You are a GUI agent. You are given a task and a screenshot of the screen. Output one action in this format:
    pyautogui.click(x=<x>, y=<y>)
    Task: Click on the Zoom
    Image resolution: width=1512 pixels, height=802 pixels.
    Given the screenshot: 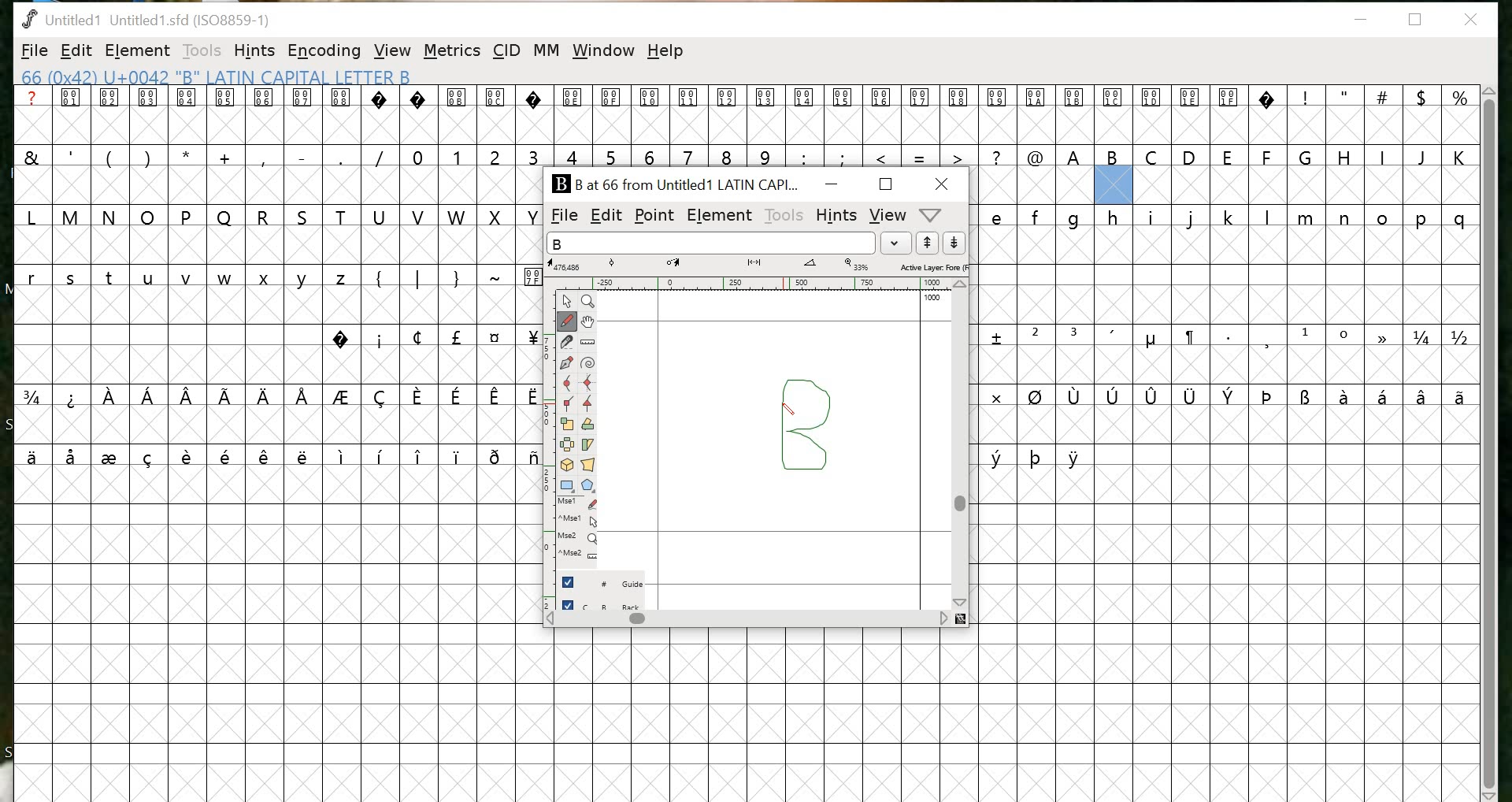 What is the action you would take?
    pyautogui.click(x=589, y=302)
    